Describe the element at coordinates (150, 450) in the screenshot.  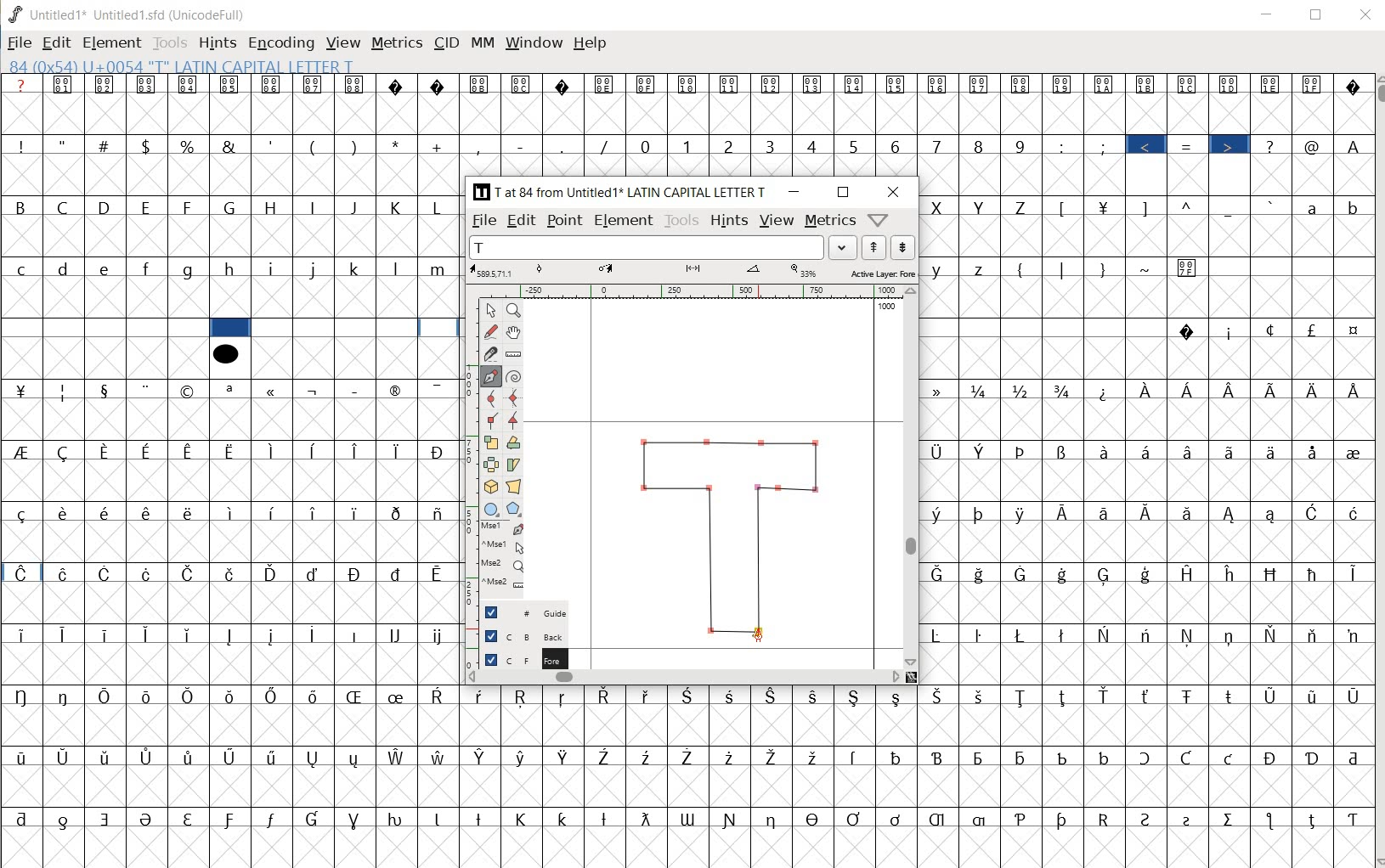
I see `Symbol` at that location.